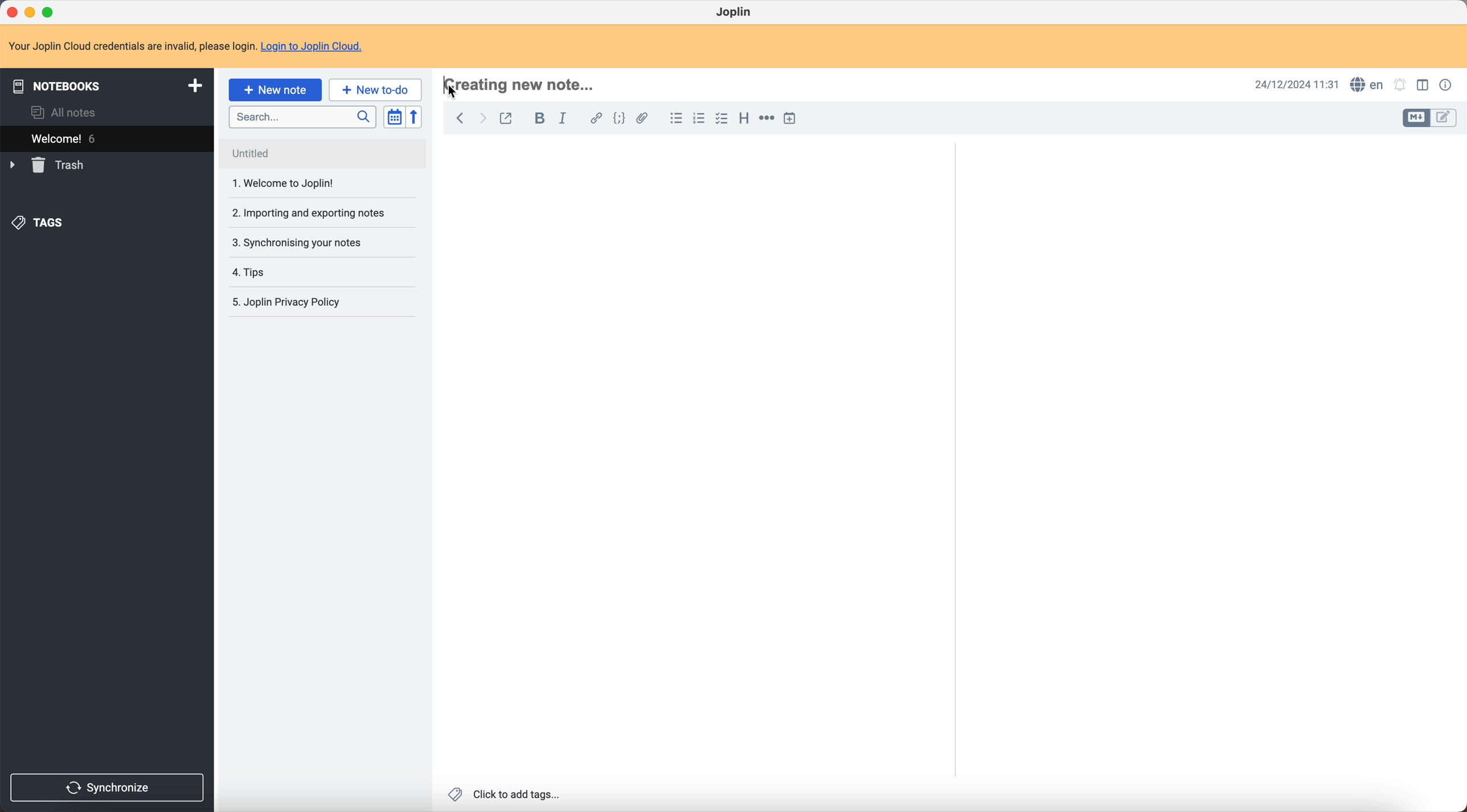 Image resolution: width=1467 pixels, height=812 pixels. Describe the element at coordinates (276, 90) in the screenshot. I see `click on new note` at that location.